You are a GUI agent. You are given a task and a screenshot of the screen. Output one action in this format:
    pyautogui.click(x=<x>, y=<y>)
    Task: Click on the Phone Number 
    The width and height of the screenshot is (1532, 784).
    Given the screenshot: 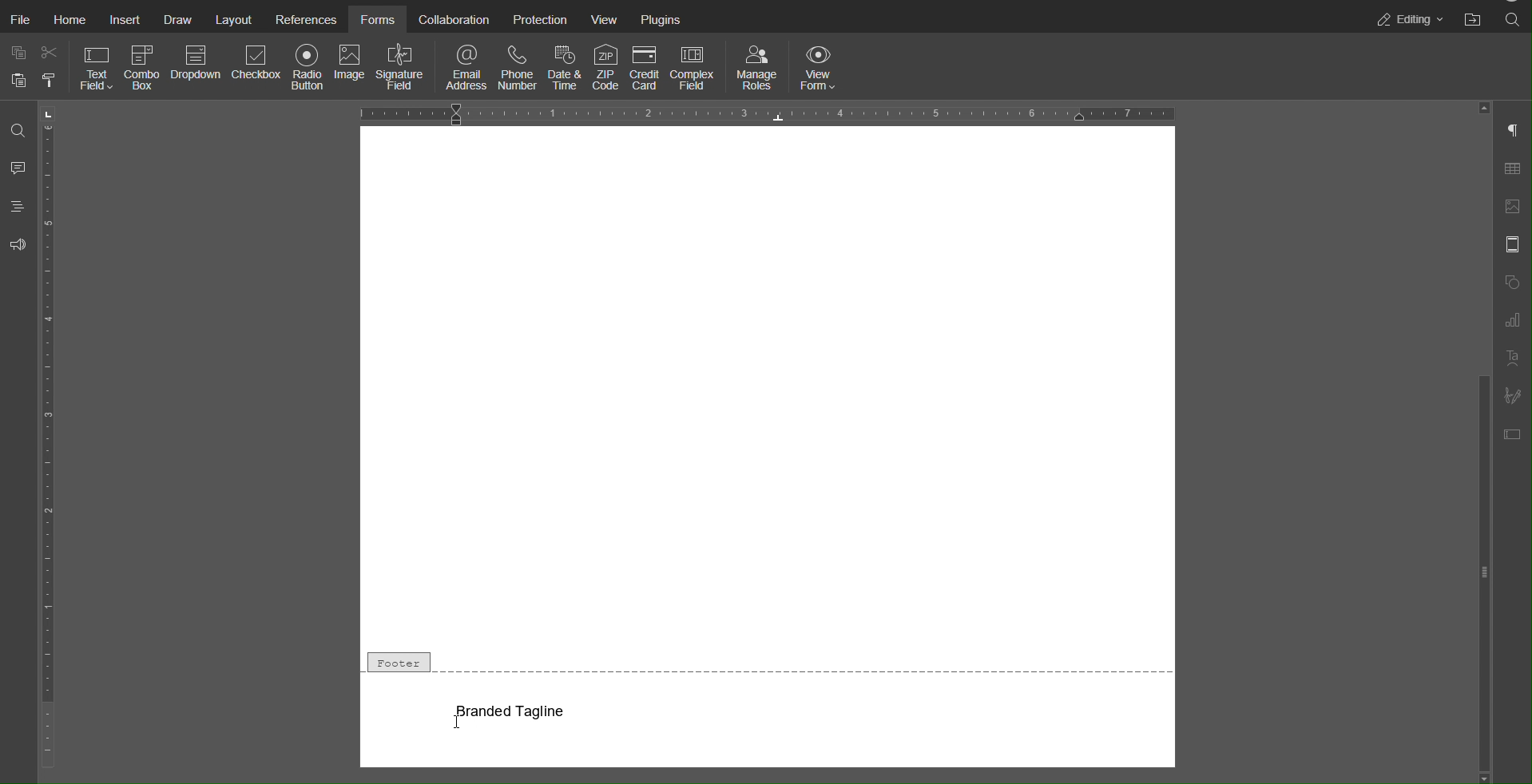 What is the action you would take?
    pyautogui.click(x=516, y=66)
    